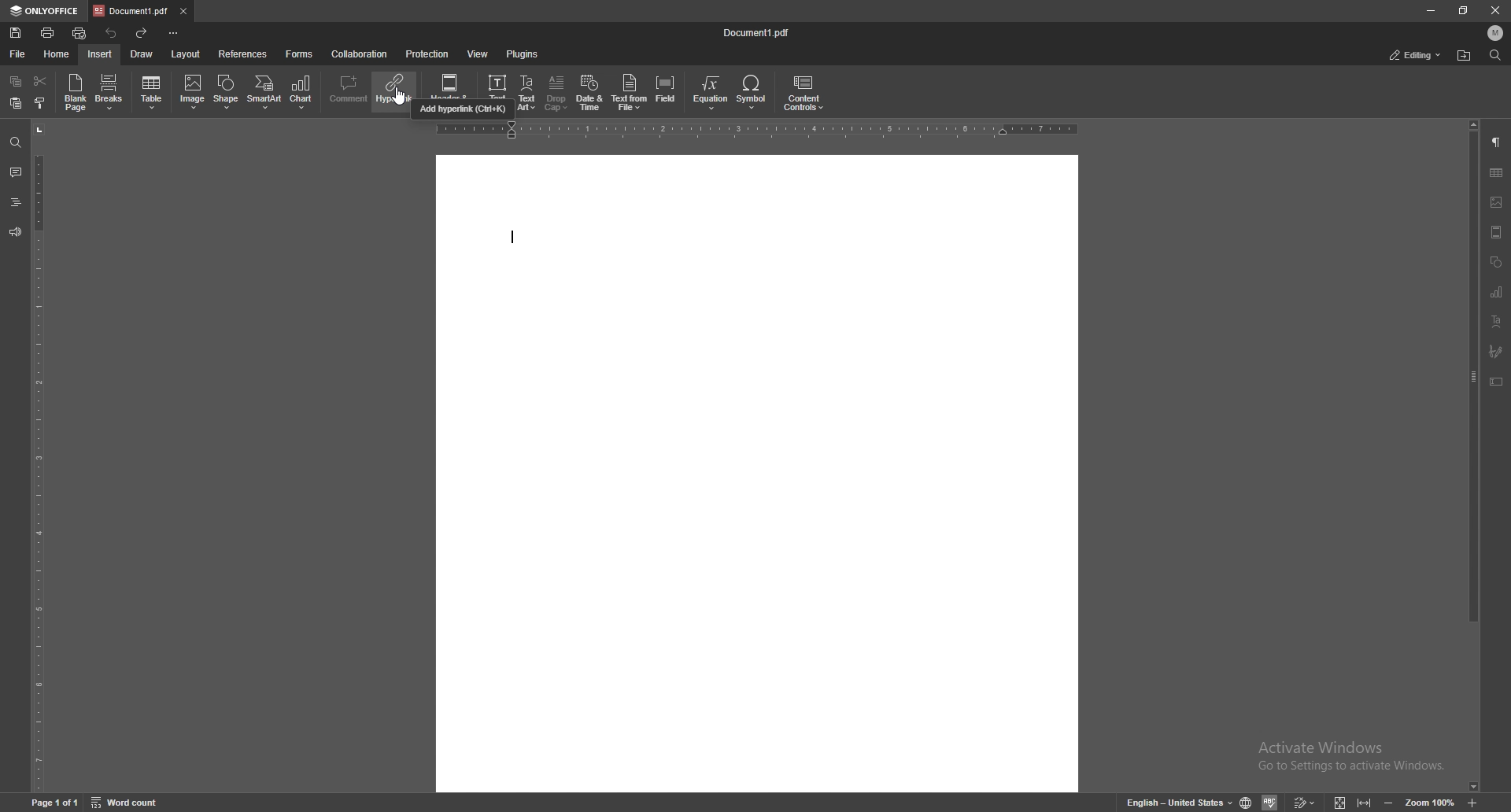 This screenshot has width=1511, height=812. Describe the element at coordinates (46, 11) in the screenshot. I see `only office` at that location.